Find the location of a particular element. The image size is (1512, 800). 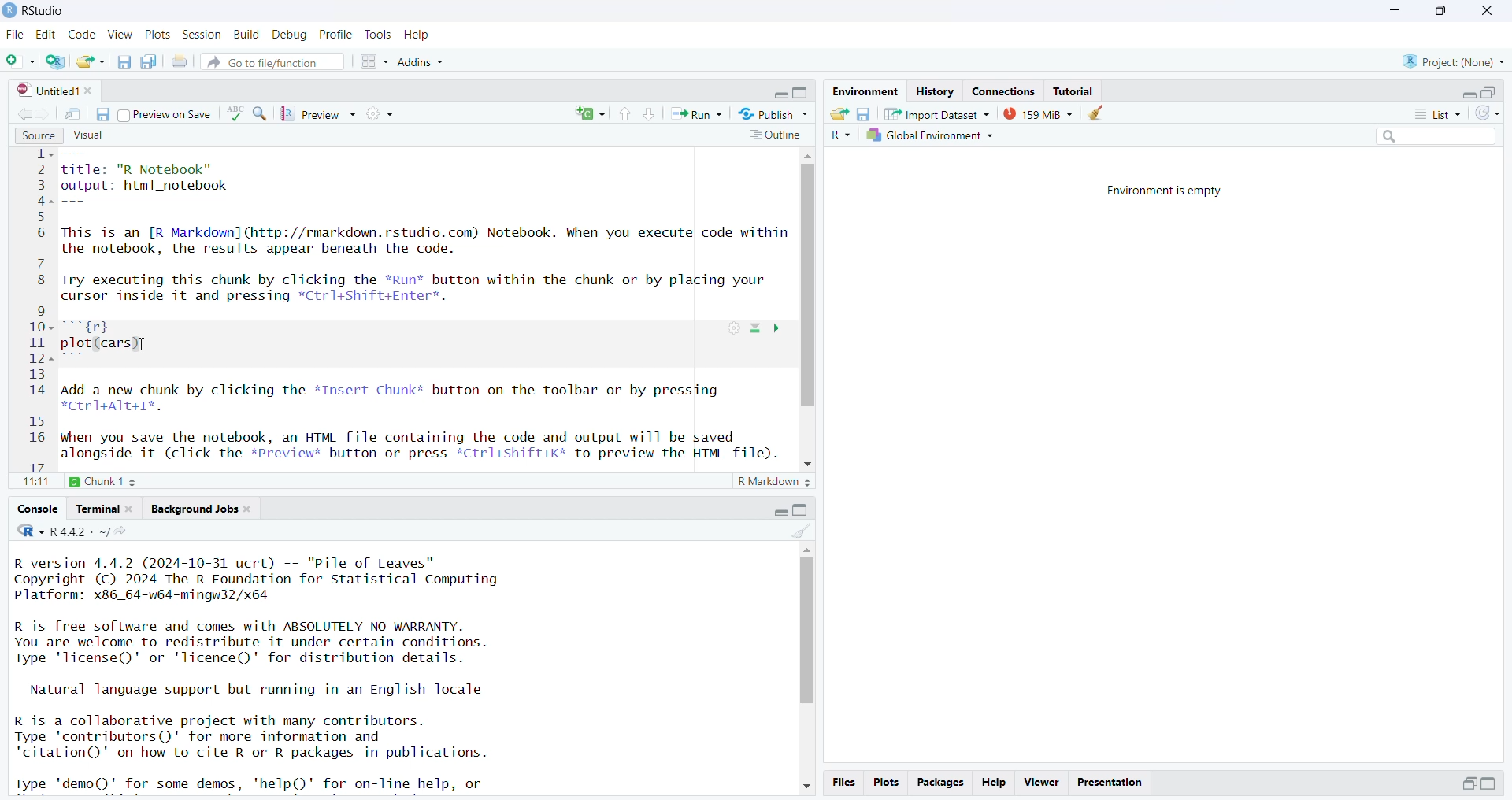

go to previous section is located at coordinates (624, 114).